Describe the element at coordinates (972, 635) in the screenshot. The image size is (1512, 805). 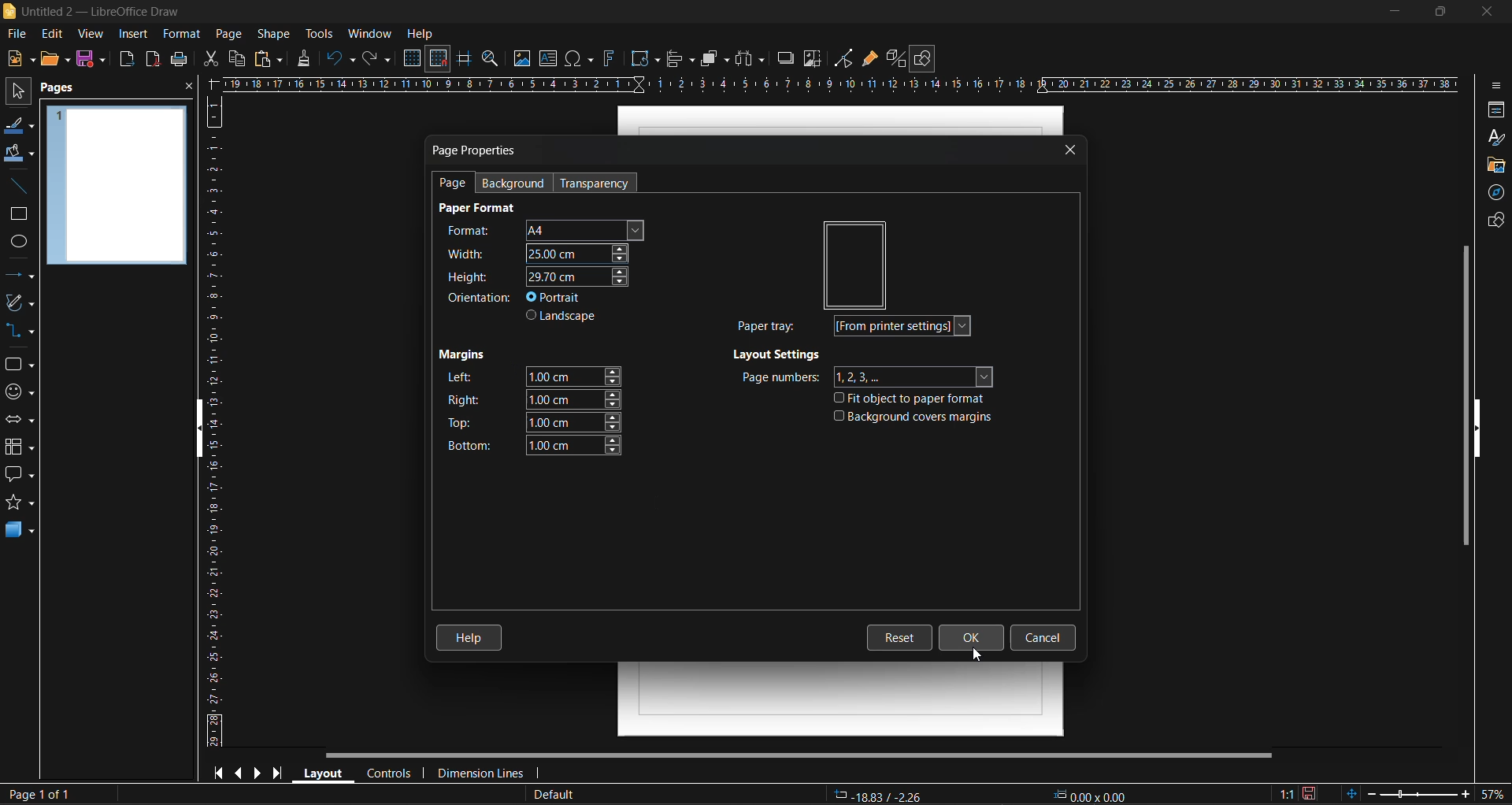
I see `ok` at that location.